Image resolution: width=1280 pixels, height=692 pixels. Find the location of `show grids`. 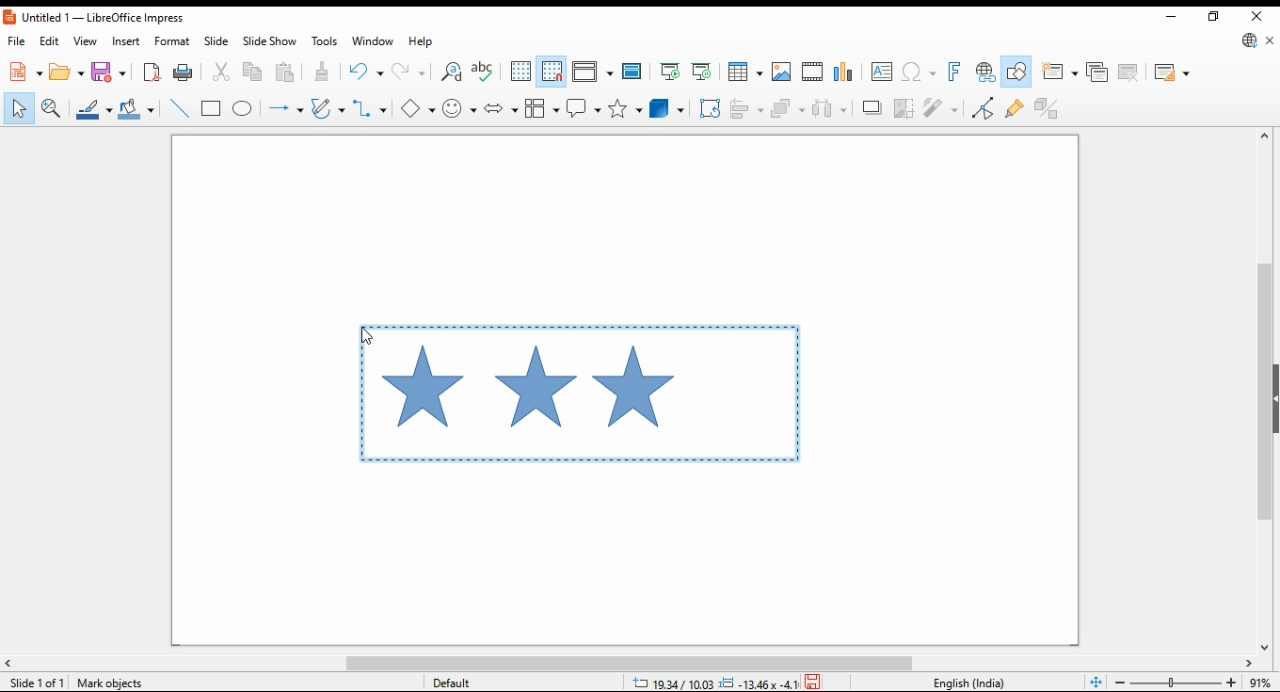

show grids is located at coordinates (519, 71).